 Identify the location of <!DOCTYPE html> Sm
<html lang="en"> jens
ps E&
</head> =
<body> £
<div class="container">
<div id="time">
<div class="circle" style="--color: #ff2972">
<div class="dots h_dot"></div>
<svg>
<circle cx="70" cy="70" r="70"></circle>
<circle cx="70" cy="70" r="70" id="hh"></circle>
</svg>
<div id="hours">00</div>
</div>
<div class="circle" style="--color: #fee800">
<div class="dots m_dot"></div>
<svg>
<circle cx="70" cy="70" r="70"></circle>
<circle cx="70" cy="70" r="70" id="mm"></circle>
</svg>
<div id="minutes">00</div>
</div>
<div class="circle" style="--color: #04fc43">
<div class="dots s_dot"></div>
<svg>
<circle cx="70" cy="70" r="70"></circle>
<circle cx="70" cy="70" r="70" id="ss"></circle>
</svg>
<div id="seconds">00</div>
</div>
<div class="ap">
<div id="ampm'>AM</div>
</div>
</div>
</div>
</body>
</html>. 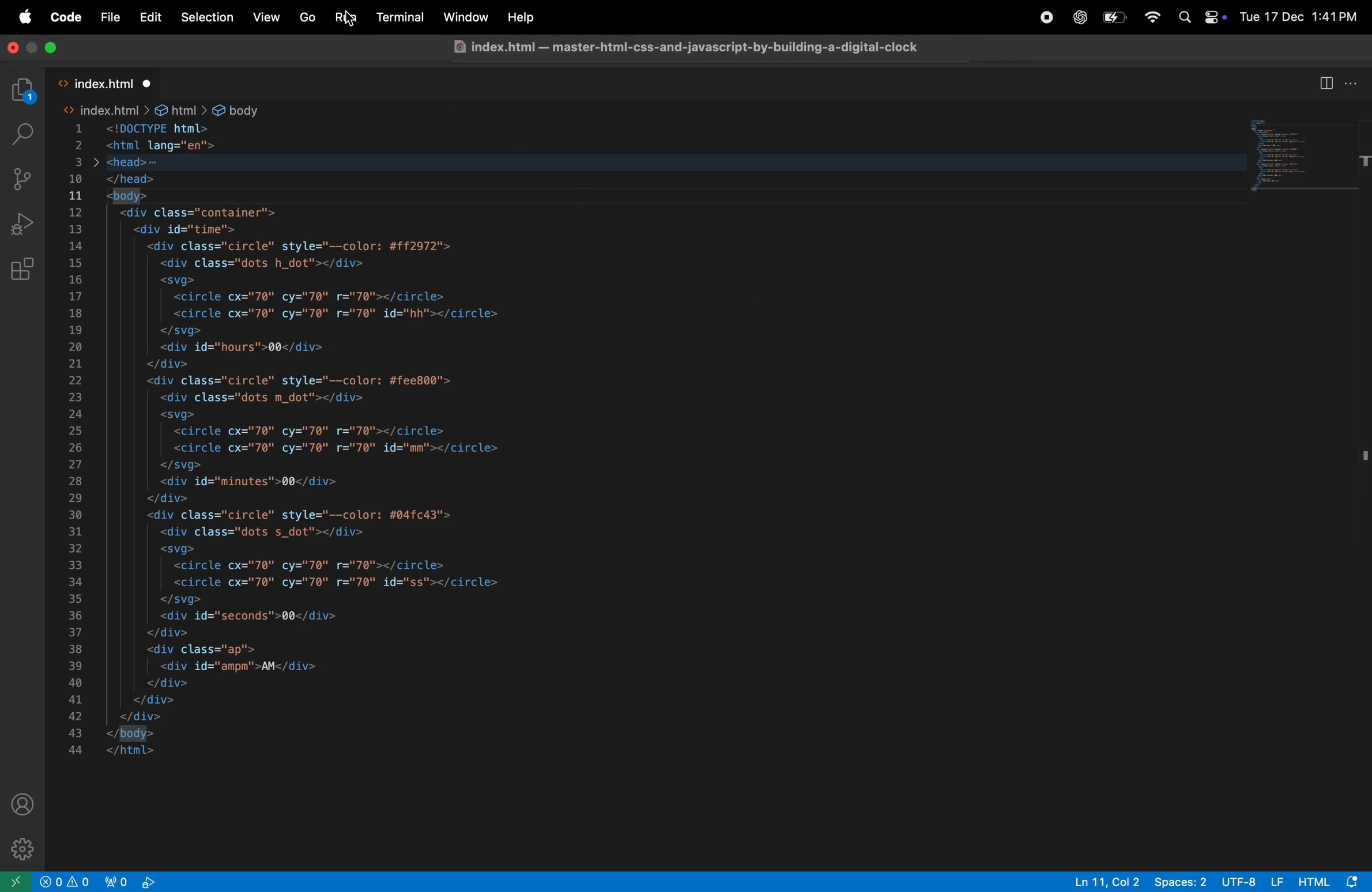
(383, 440).